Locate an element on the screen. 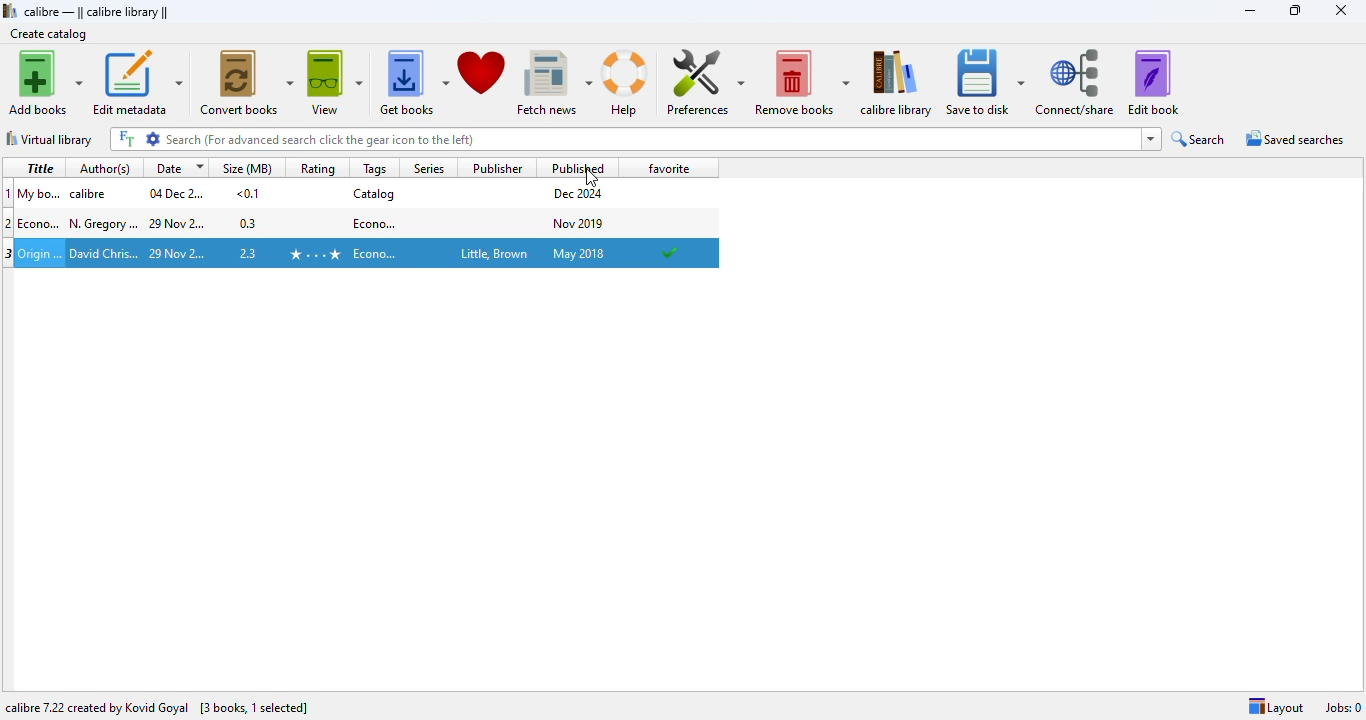  size(MB) is located at coordinates (249, 169).